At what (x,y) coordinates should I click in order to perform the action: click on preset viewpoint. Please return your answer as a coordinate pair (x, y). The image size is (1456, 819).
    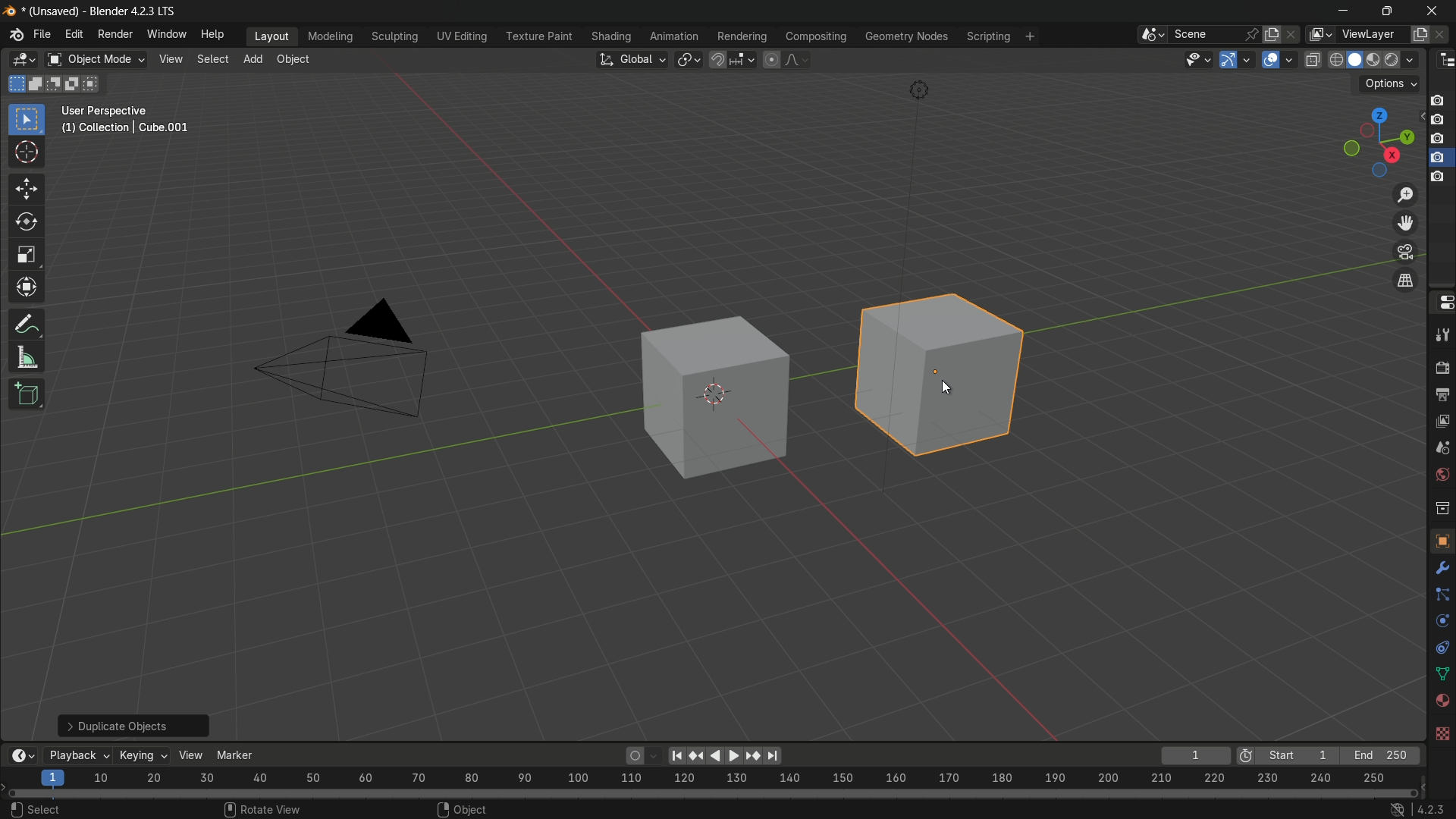
    Looking at the image, I should click on (1379, 142).